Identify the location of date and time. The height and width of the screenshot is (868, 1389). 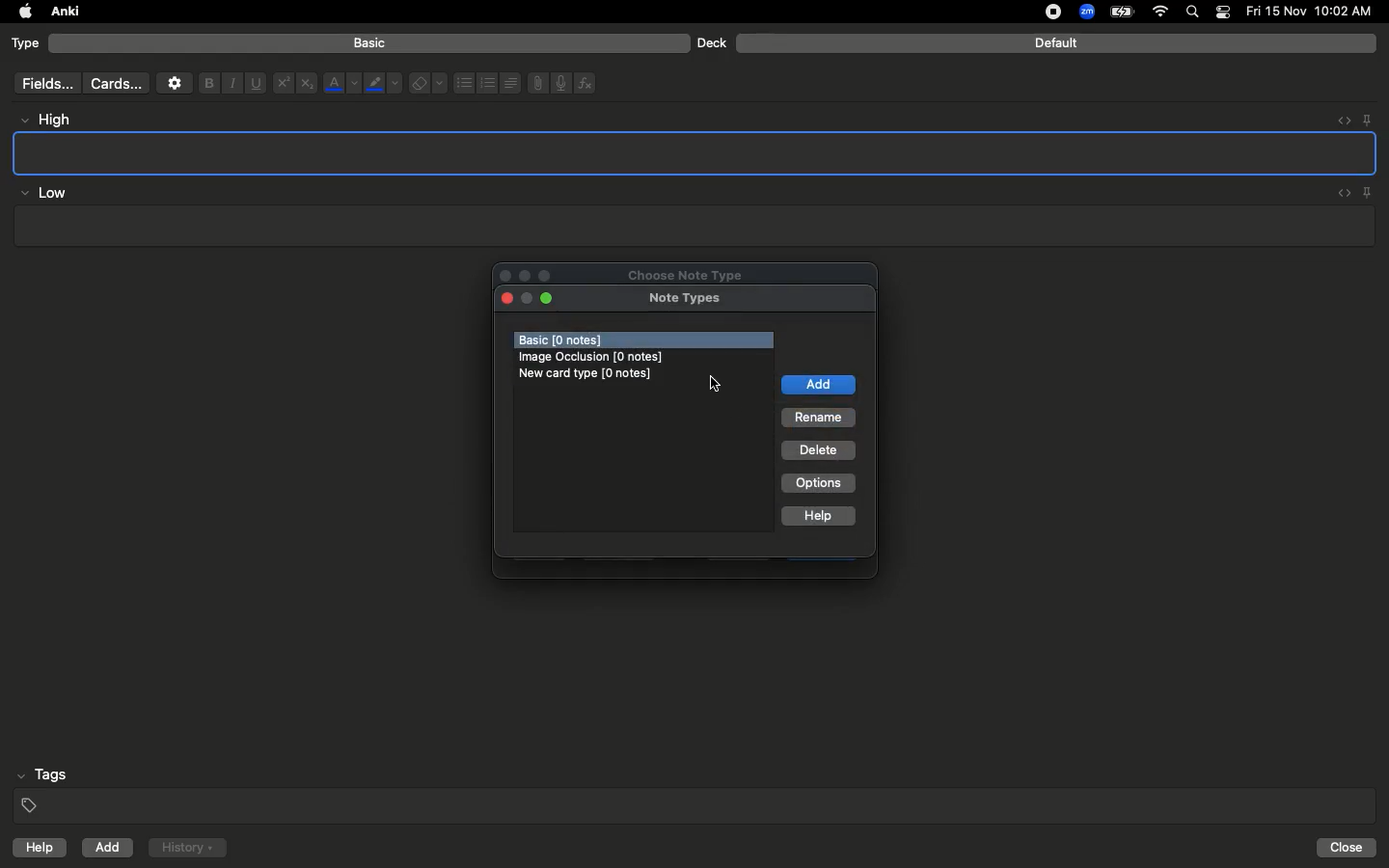
(1315, 11).